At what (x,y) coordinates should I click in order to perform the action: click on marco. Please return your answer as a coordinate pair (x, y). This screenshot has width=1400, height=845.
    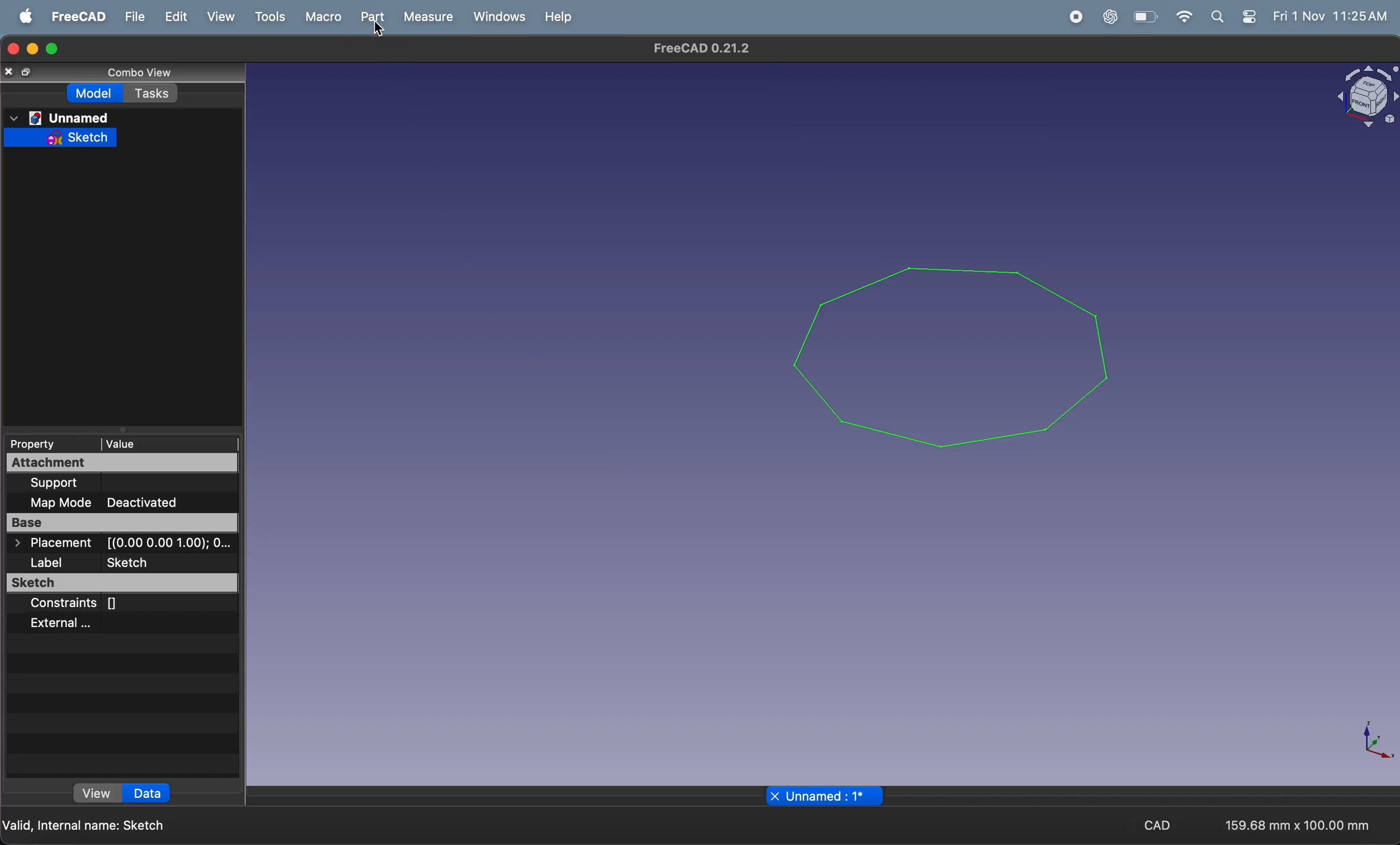
    Looking at the image, I should click on (322, 17).